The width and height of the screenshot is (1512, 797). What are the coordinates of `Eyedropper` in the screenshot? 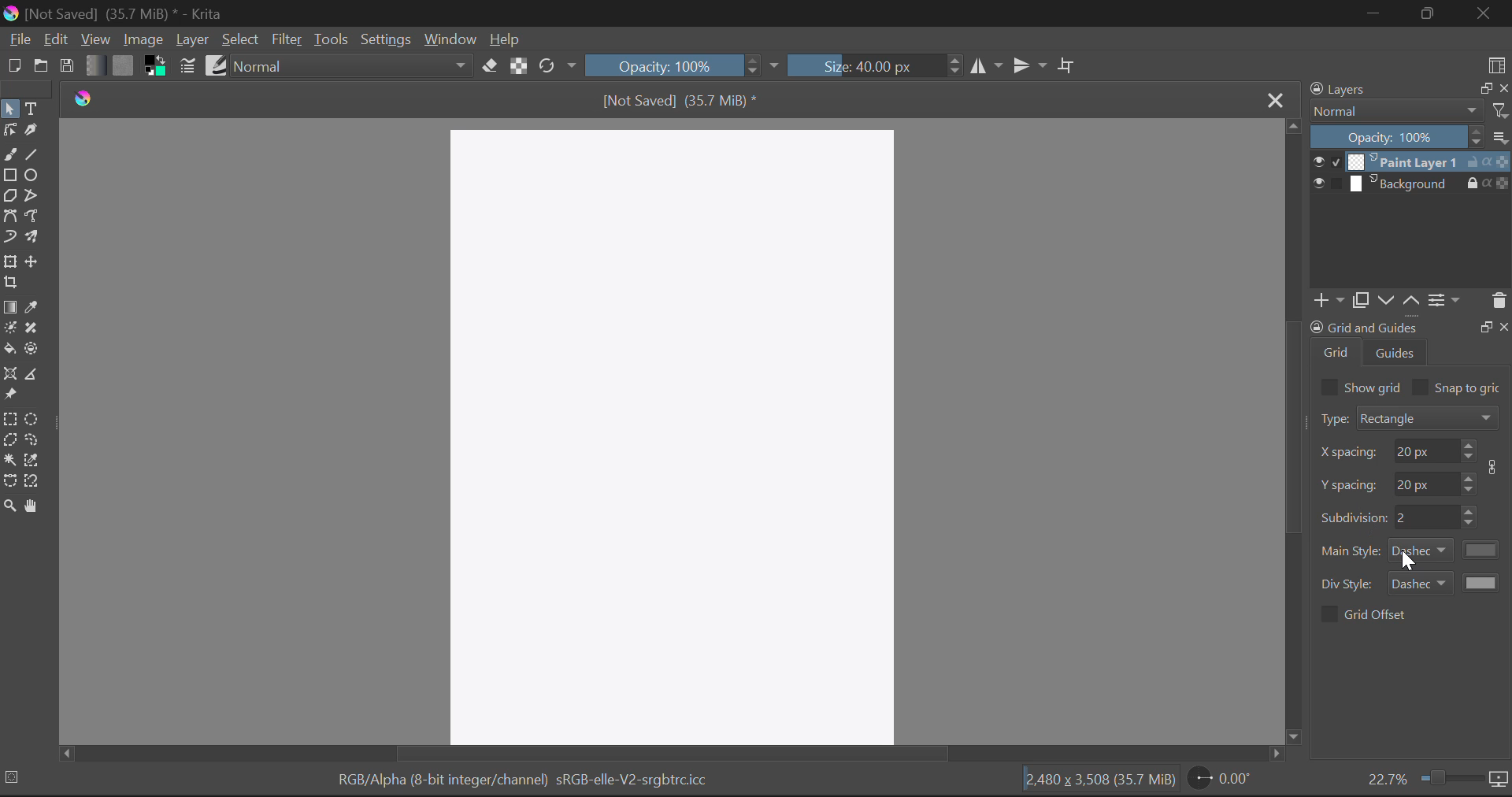 It's located at (32, 309).